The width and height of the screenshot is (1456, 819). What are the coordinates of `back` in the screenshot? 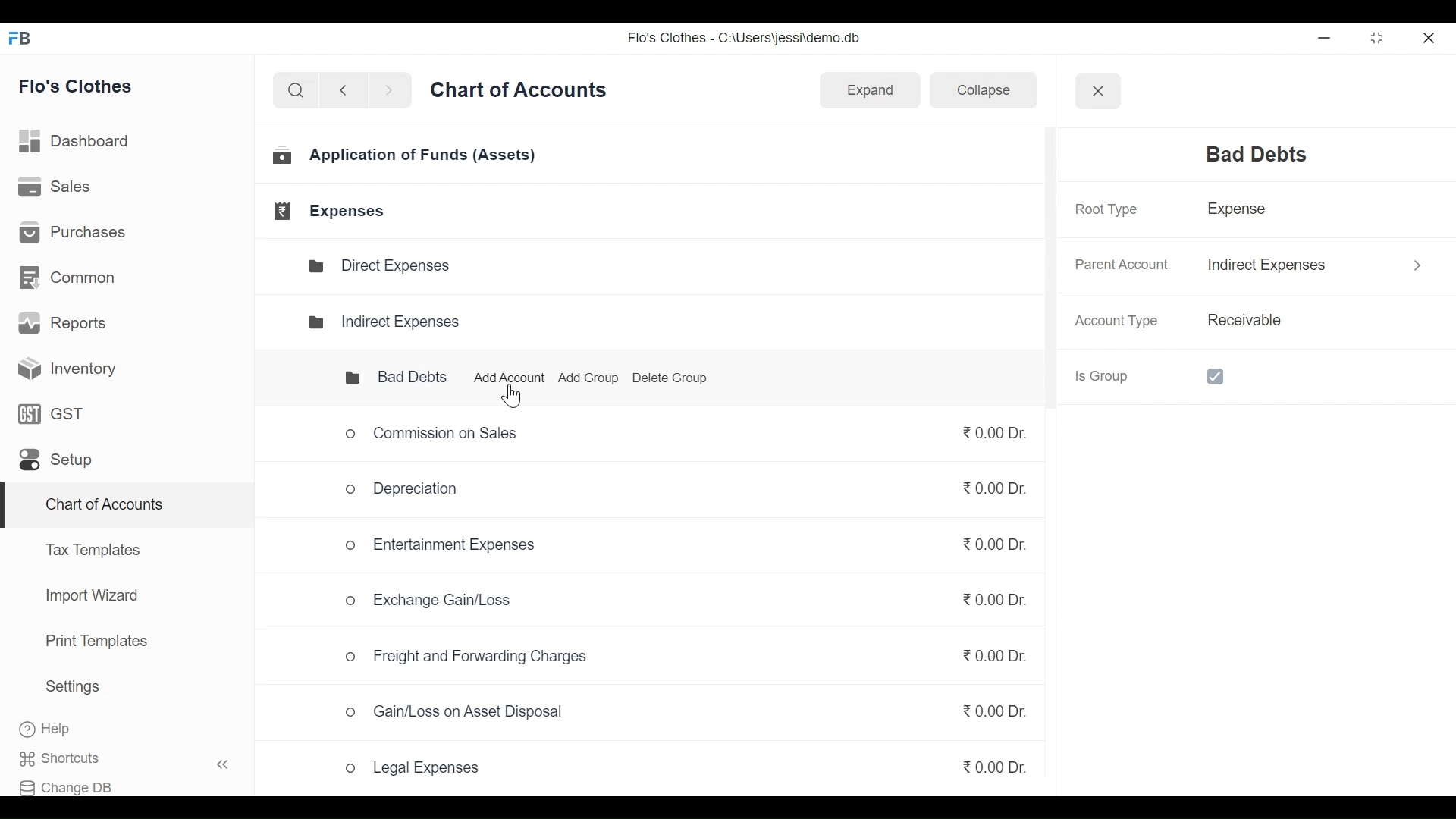 It's located at (349, 93).